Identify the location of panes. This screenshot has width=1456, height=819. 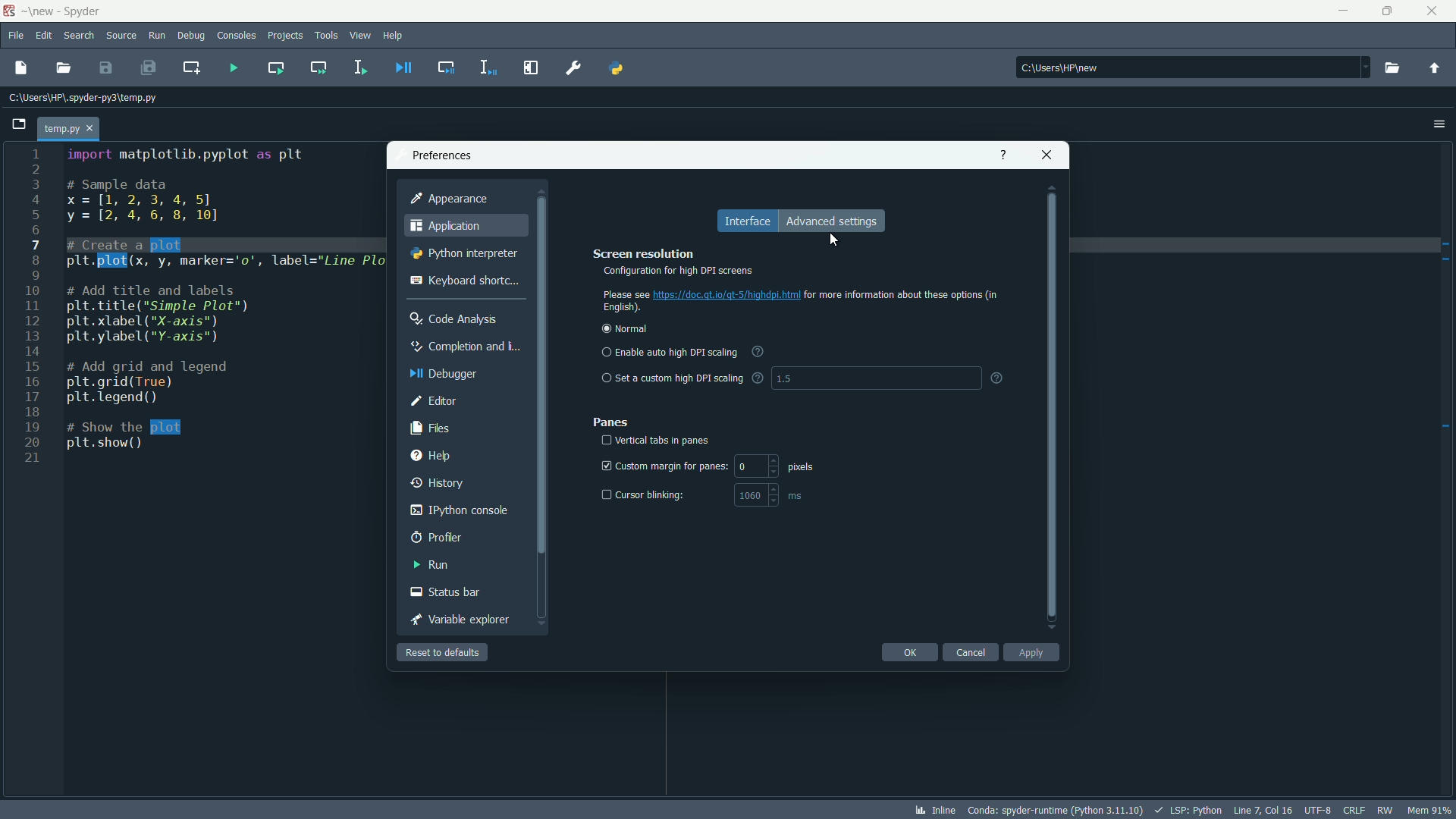
(612, 423).